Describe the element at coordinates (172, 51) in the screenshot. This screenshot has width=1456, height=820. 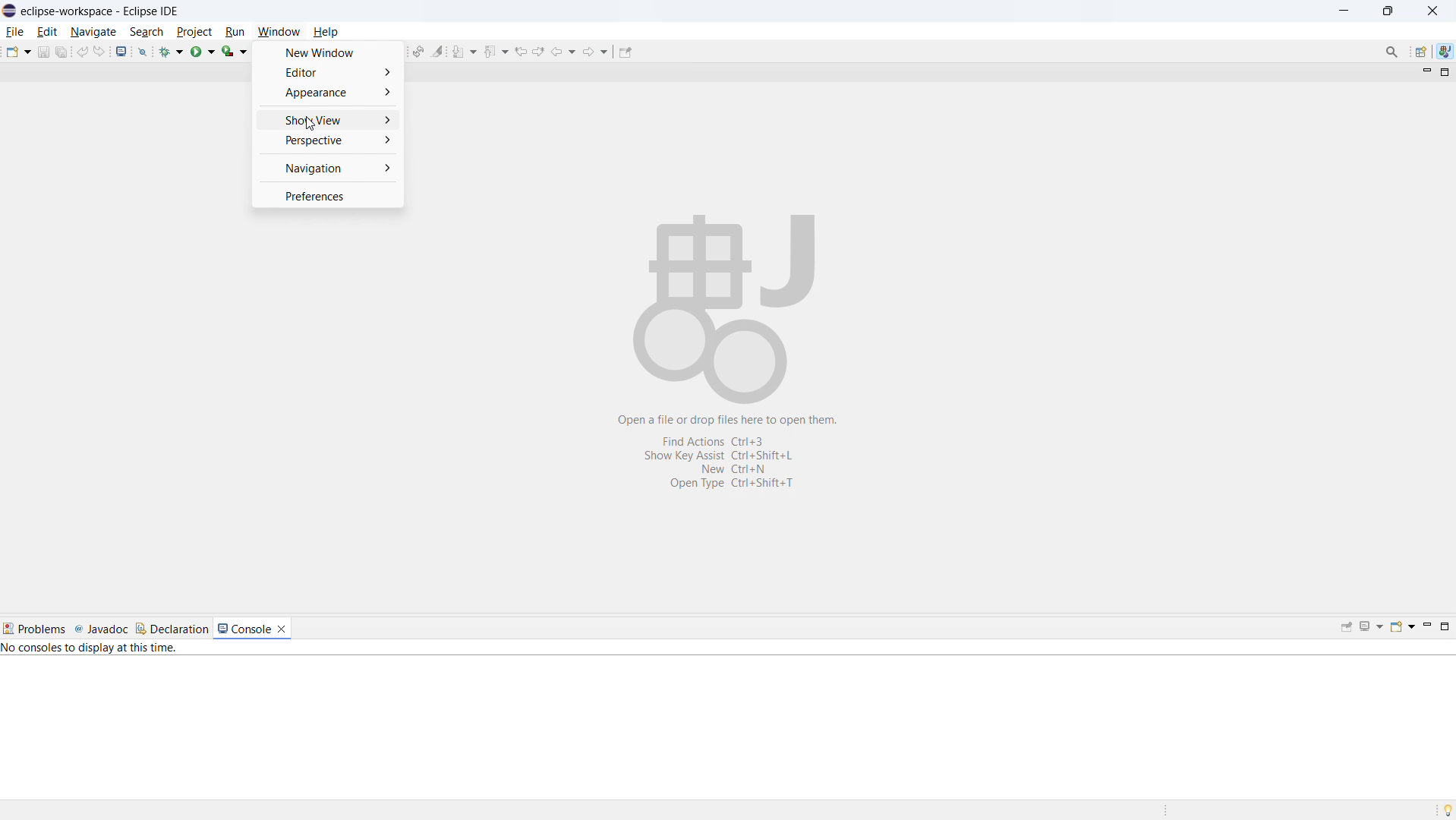
I see `debug` at that location.